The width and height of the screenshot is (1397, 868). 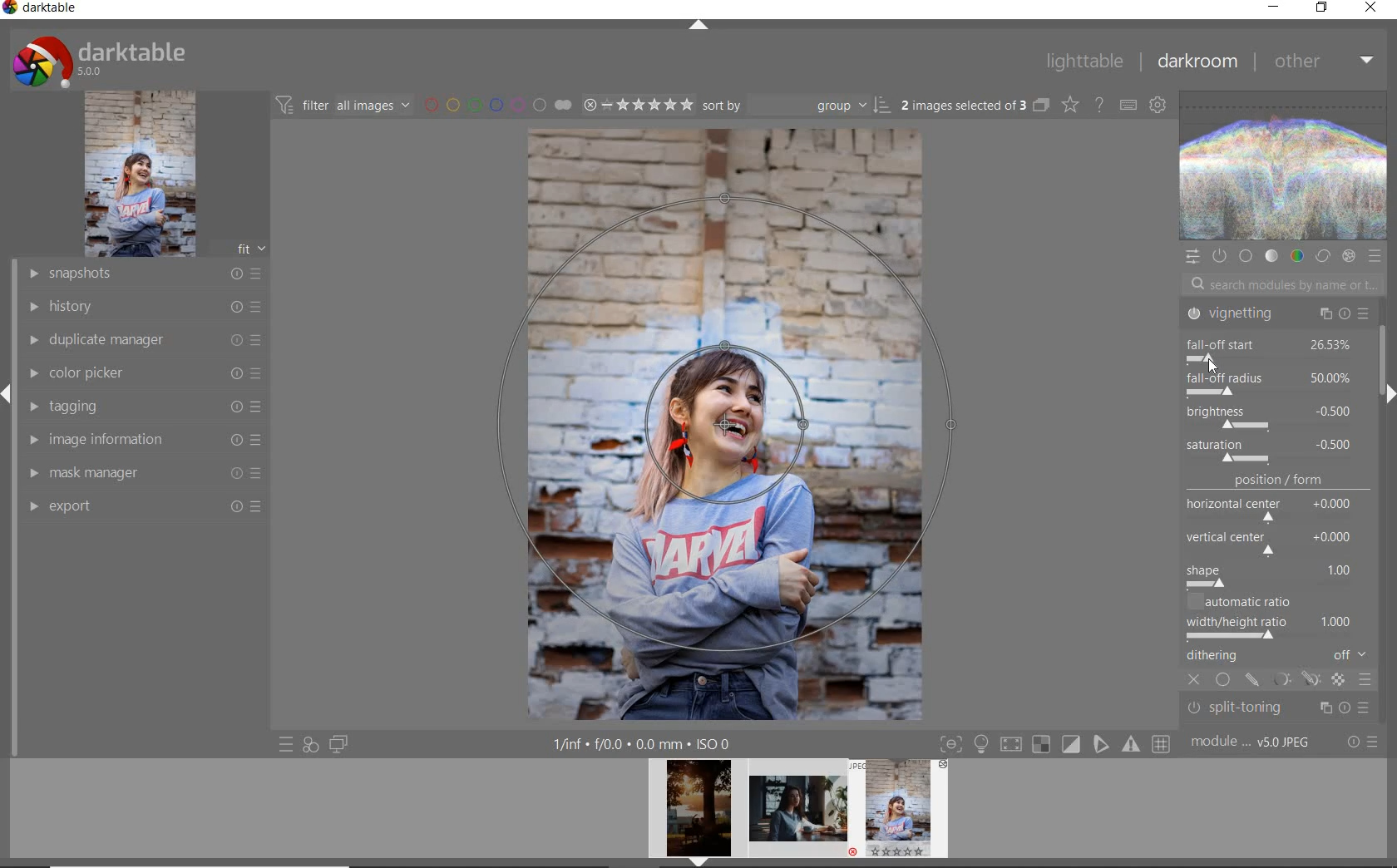 I want to click on LIGHTTABLE, so click(x=1084, y=61).